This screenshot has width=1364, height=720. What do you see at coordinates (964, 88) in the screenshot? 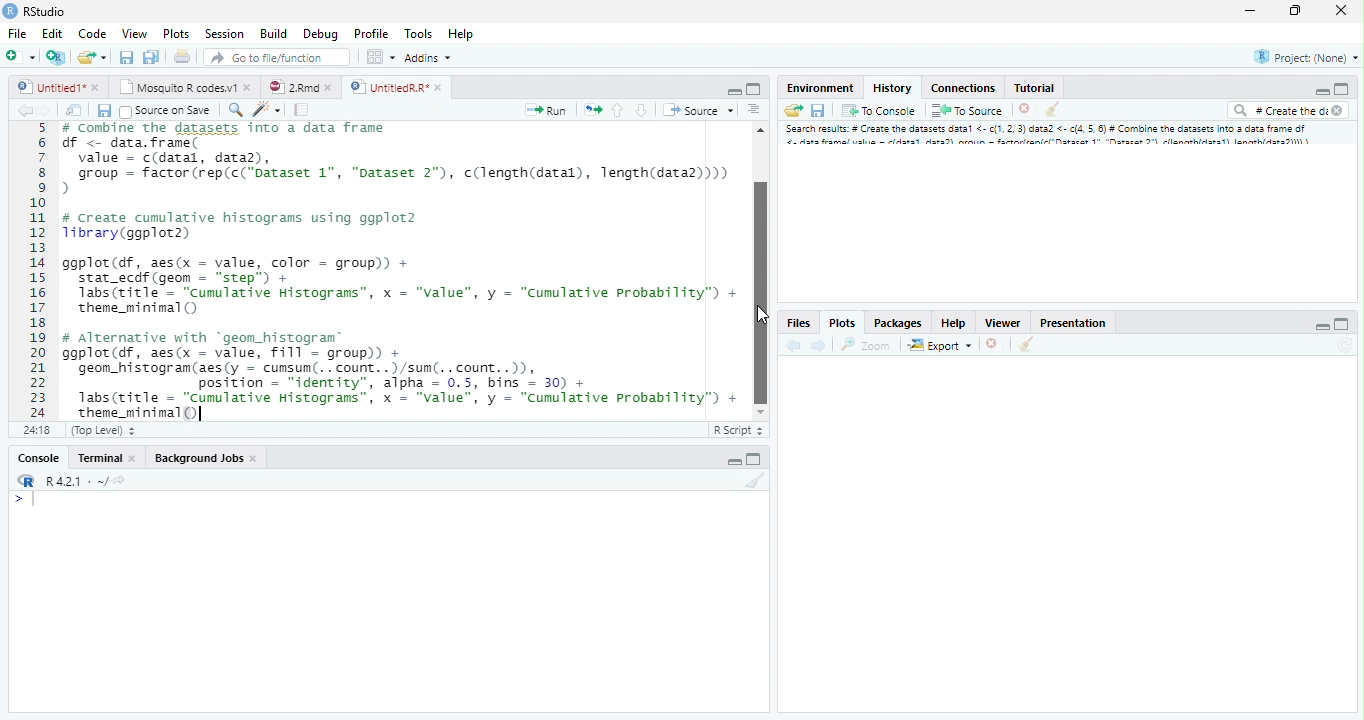
I see `Connections` at bounding box center [964, 88].